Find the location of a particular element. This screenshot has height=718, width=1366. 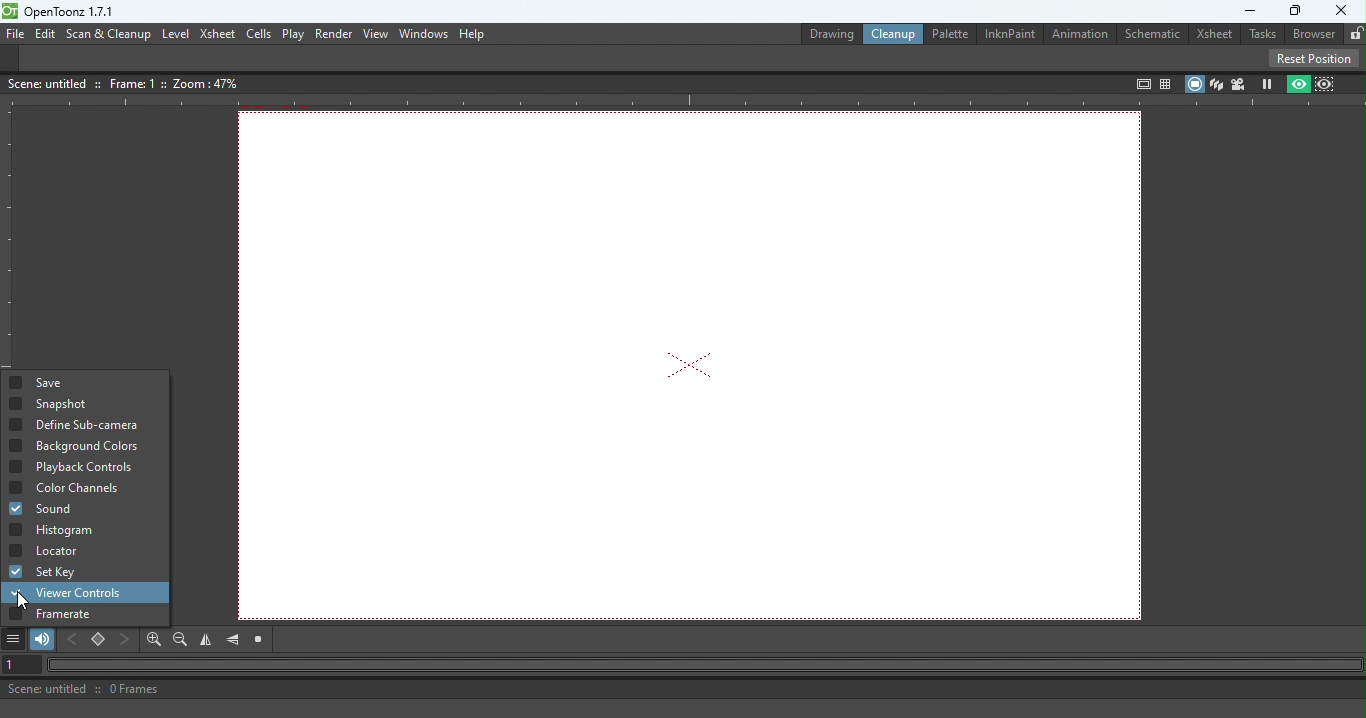

Playback controls is located at coordinates (73, 468).